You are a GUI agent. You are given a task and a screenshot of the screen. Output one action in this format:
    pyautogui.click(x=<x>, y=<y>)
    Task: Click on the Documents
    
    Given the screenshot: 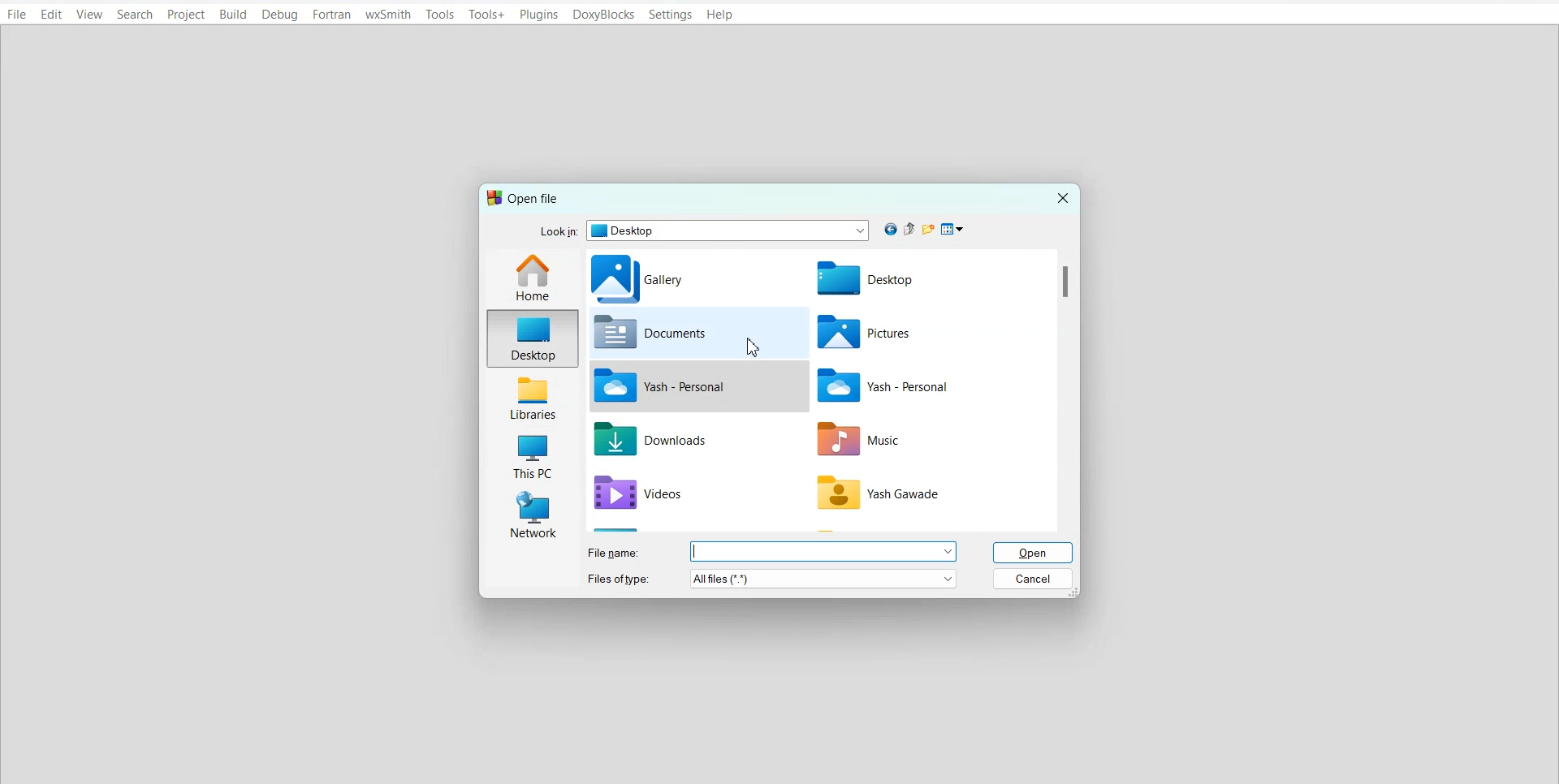 What is the action you would take?
    pyautogui.click(x=693, y=332)
    